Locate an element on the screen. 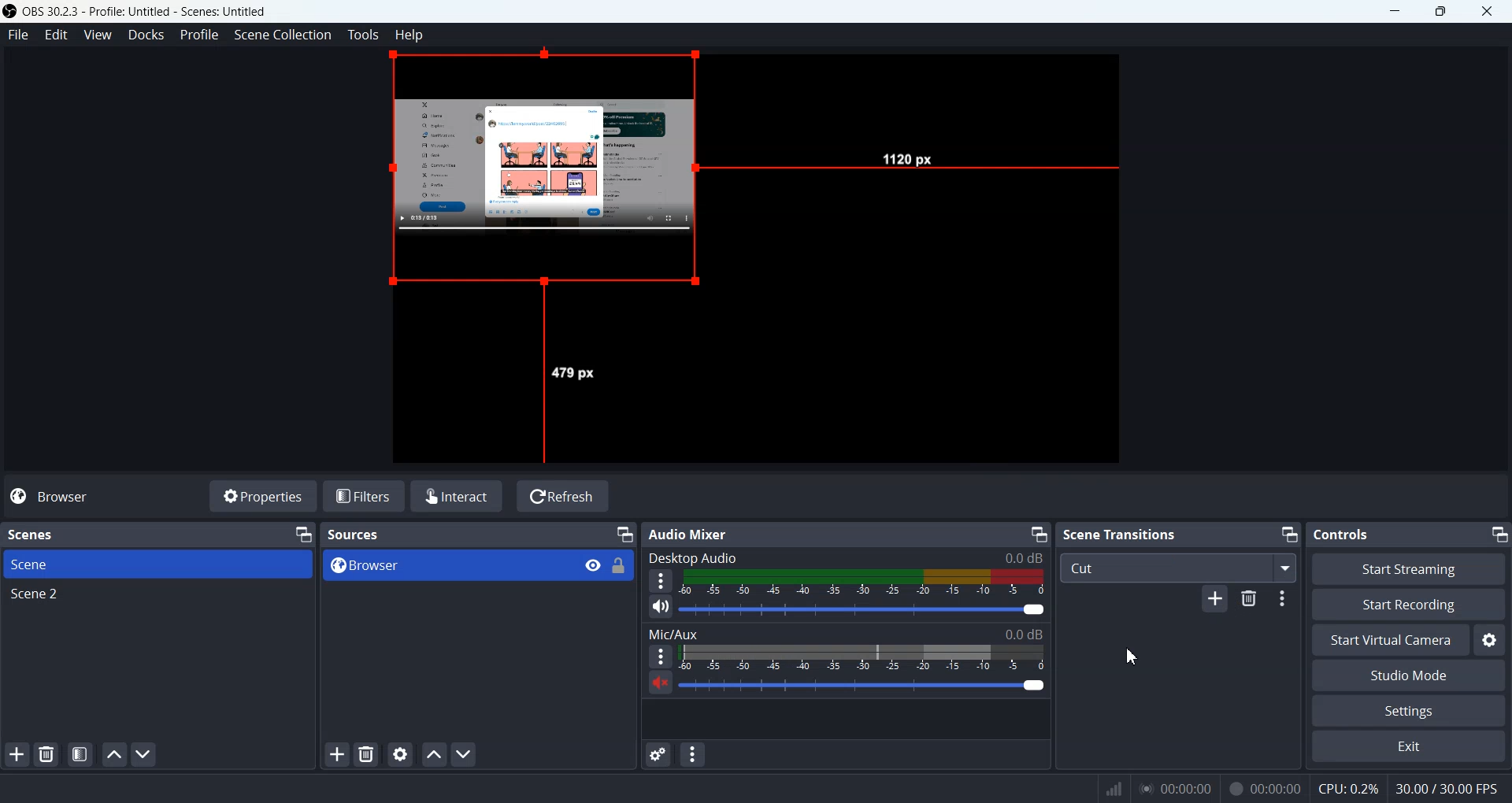 The width and height of the screenshot is (1512, 803). Maximize is located at coordinates (1440, 11).